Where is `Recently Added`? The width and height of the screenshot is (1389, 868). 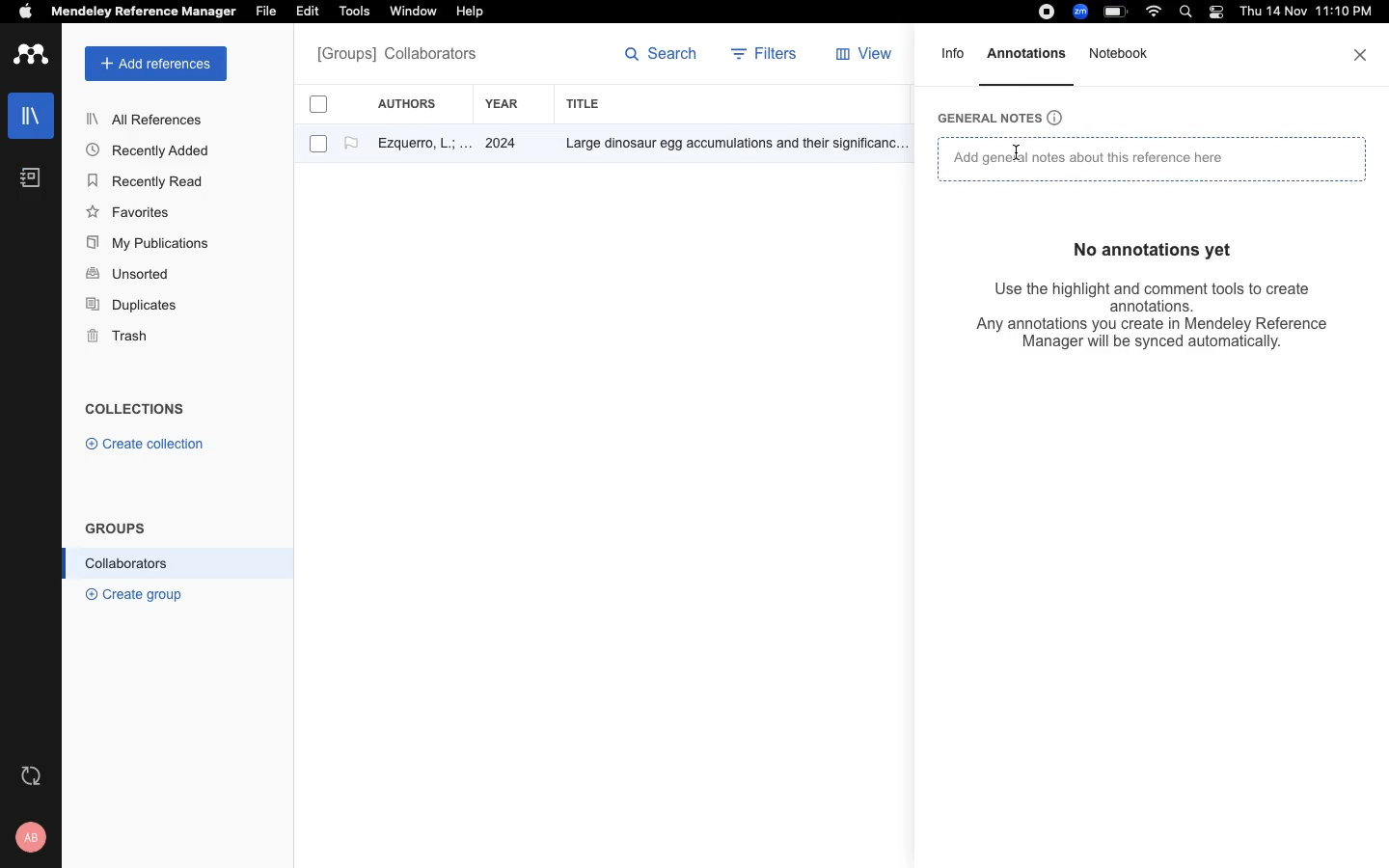
Recently Added is located at coordinates (153, 149).